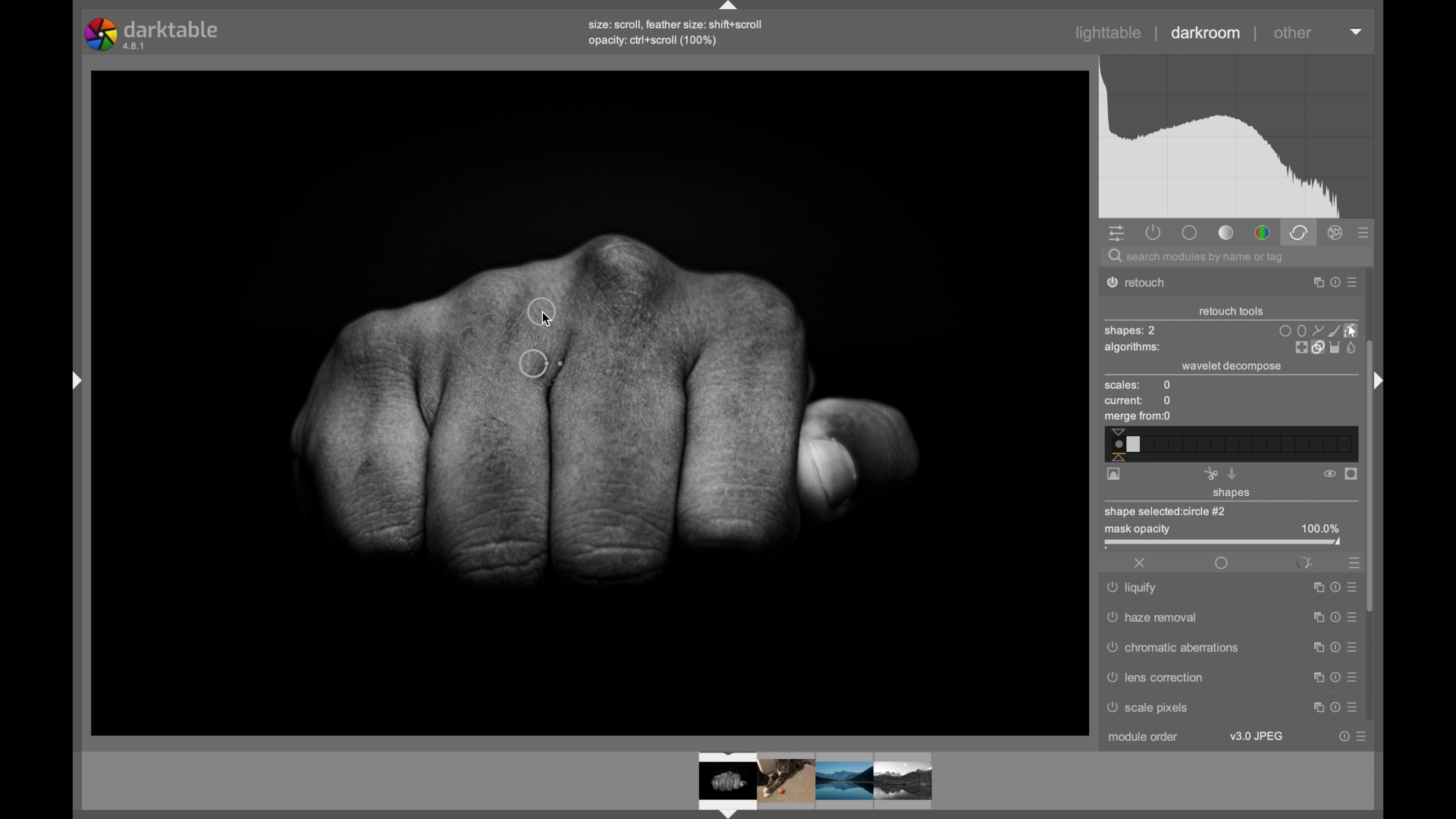 This screenshot has width=1456, height=819. Describe the element at coordinates (1314, 676) in the screenshot. I see `maximize` at that location.